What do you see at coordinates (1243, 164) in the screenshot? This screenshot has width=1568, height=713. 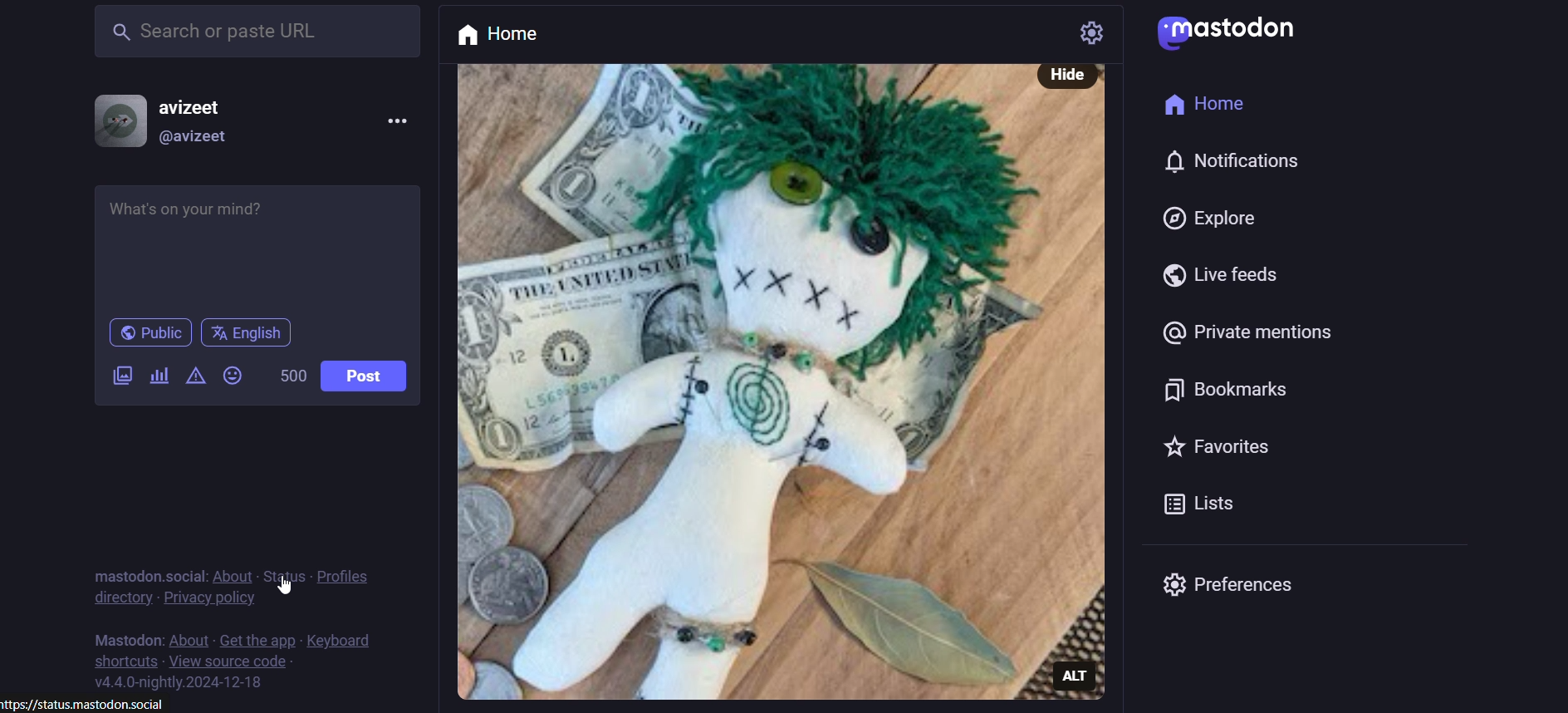 I see `notification` at bounding box center [1243, 164].